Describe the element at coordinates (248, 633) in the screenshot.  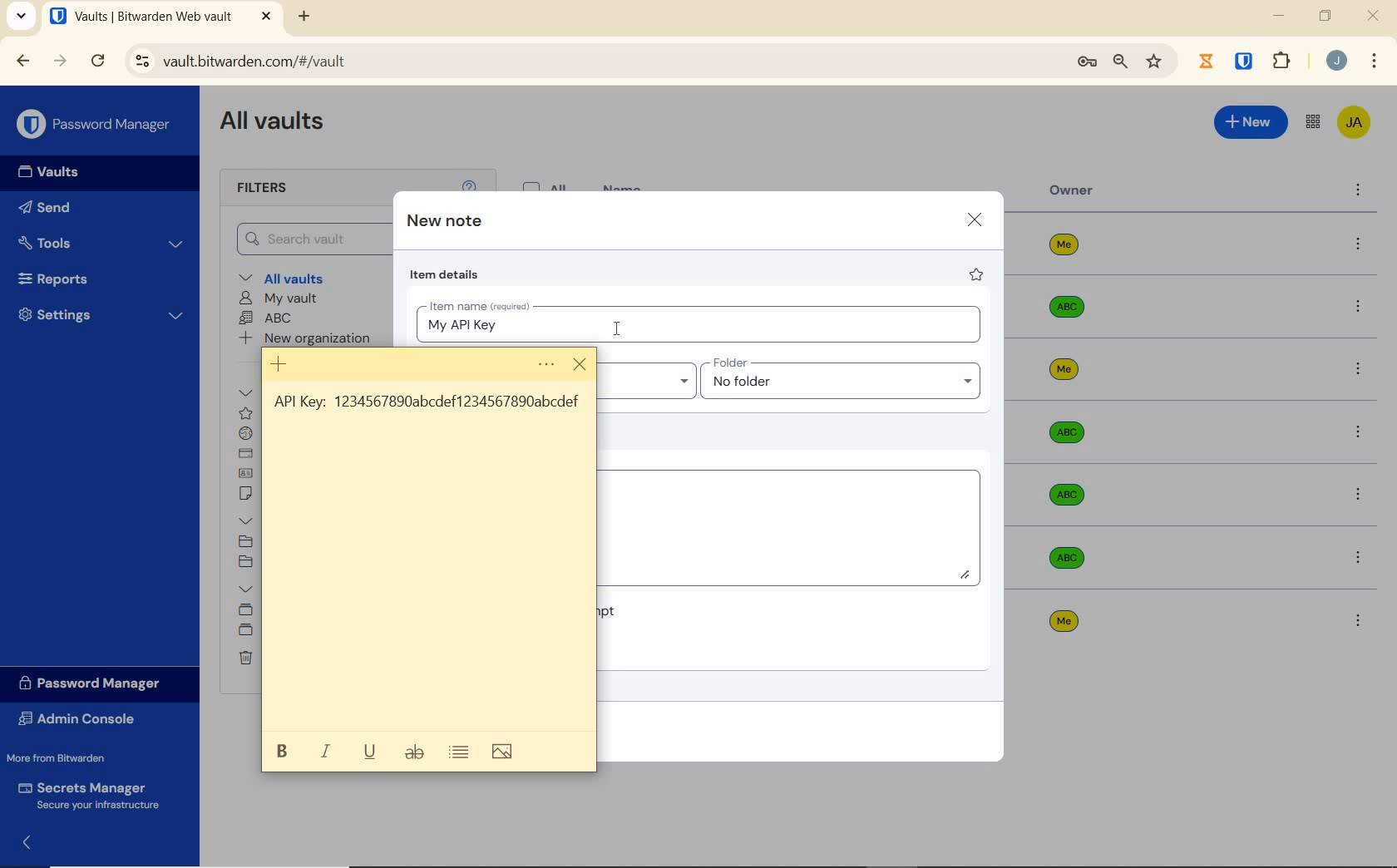
I see `shared folder` at that location.